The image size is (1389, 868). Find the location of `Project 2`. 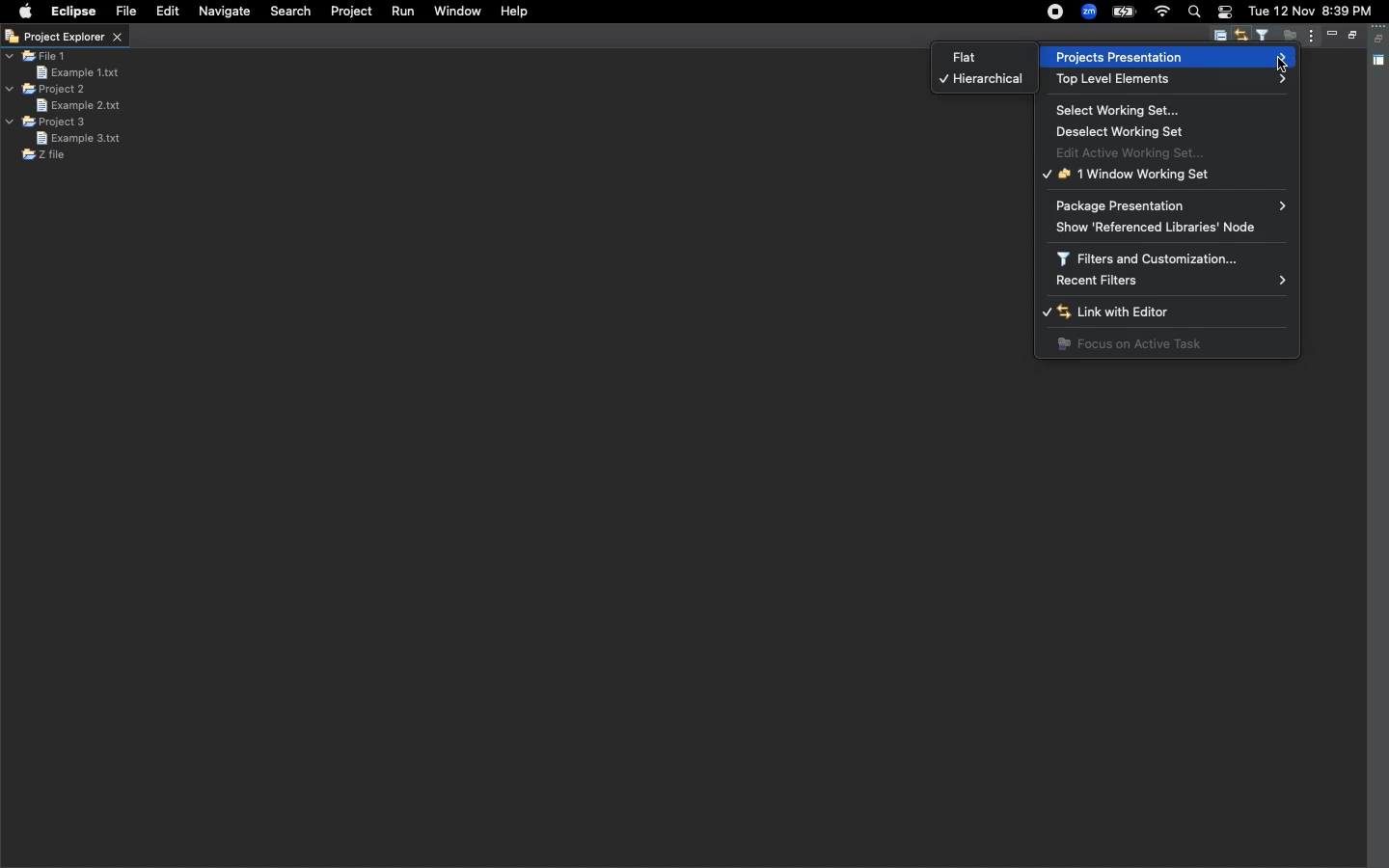

Project 2 is located at coordinates (46, 89).